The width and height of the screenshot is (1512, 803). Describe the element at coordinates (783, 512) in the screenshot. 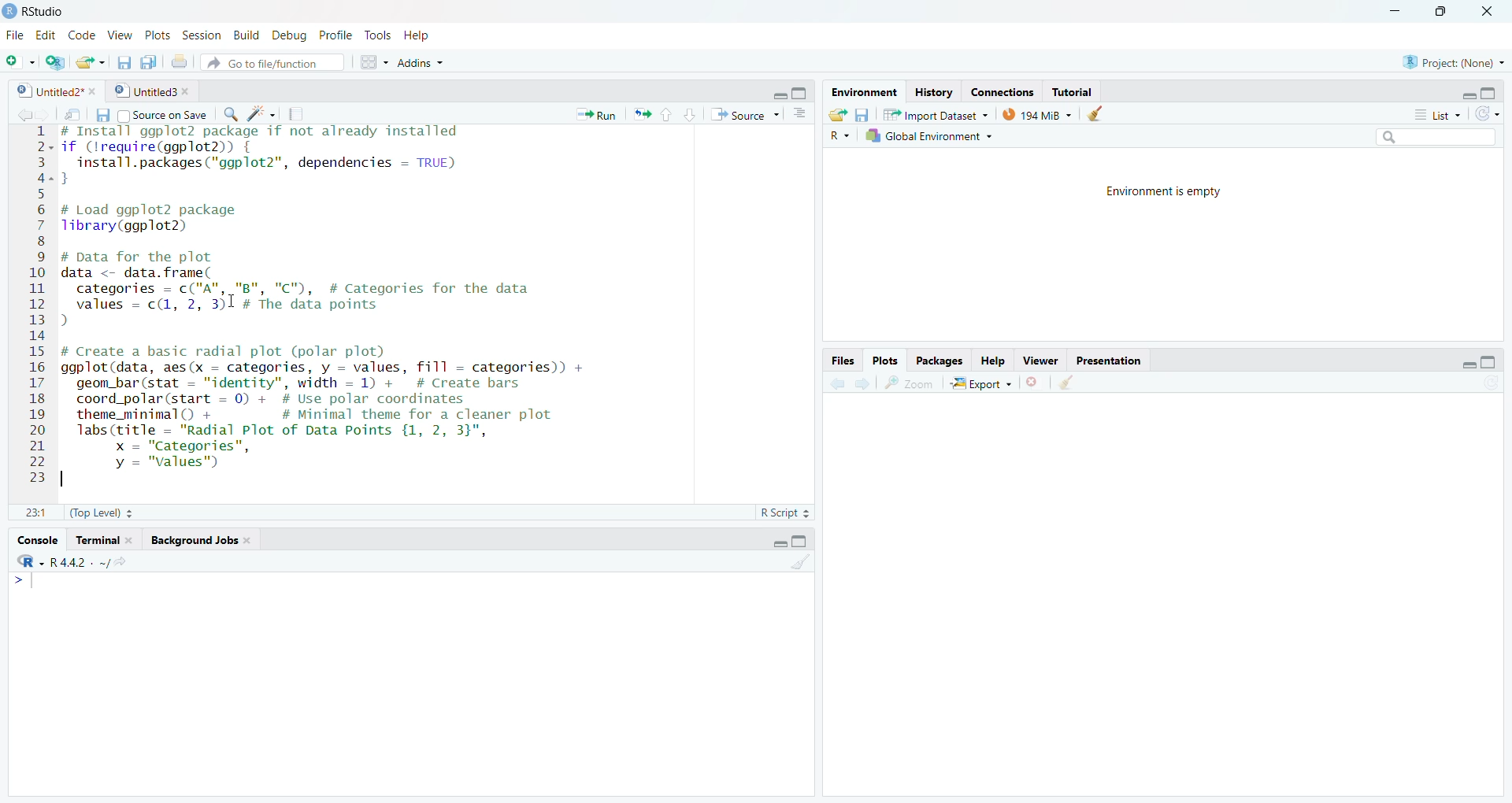

I see `R Script ` at that location.